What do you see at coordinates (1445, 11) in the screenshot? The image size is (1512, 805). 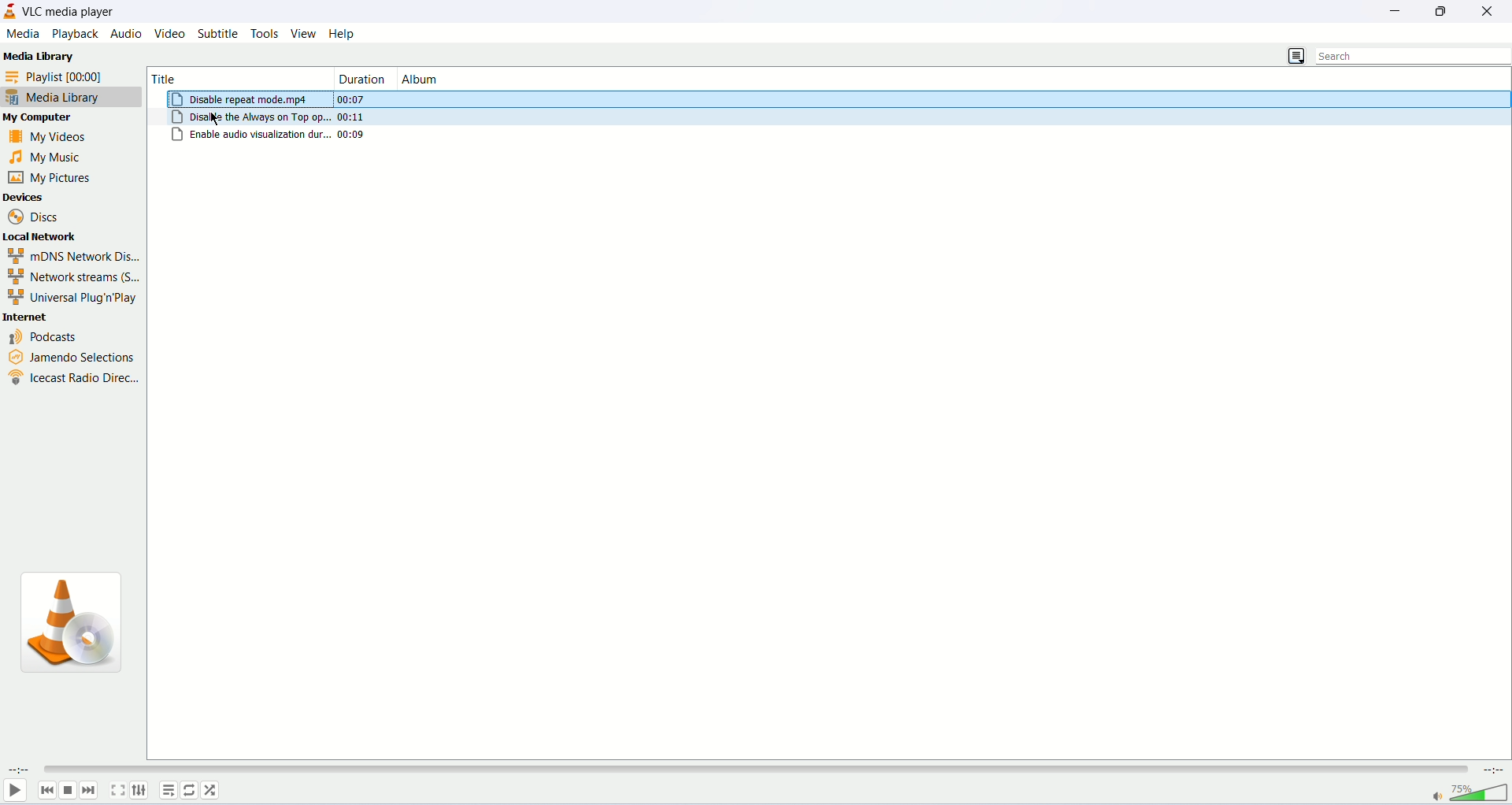 I see `maximize` at bounding box center [1445, 11].